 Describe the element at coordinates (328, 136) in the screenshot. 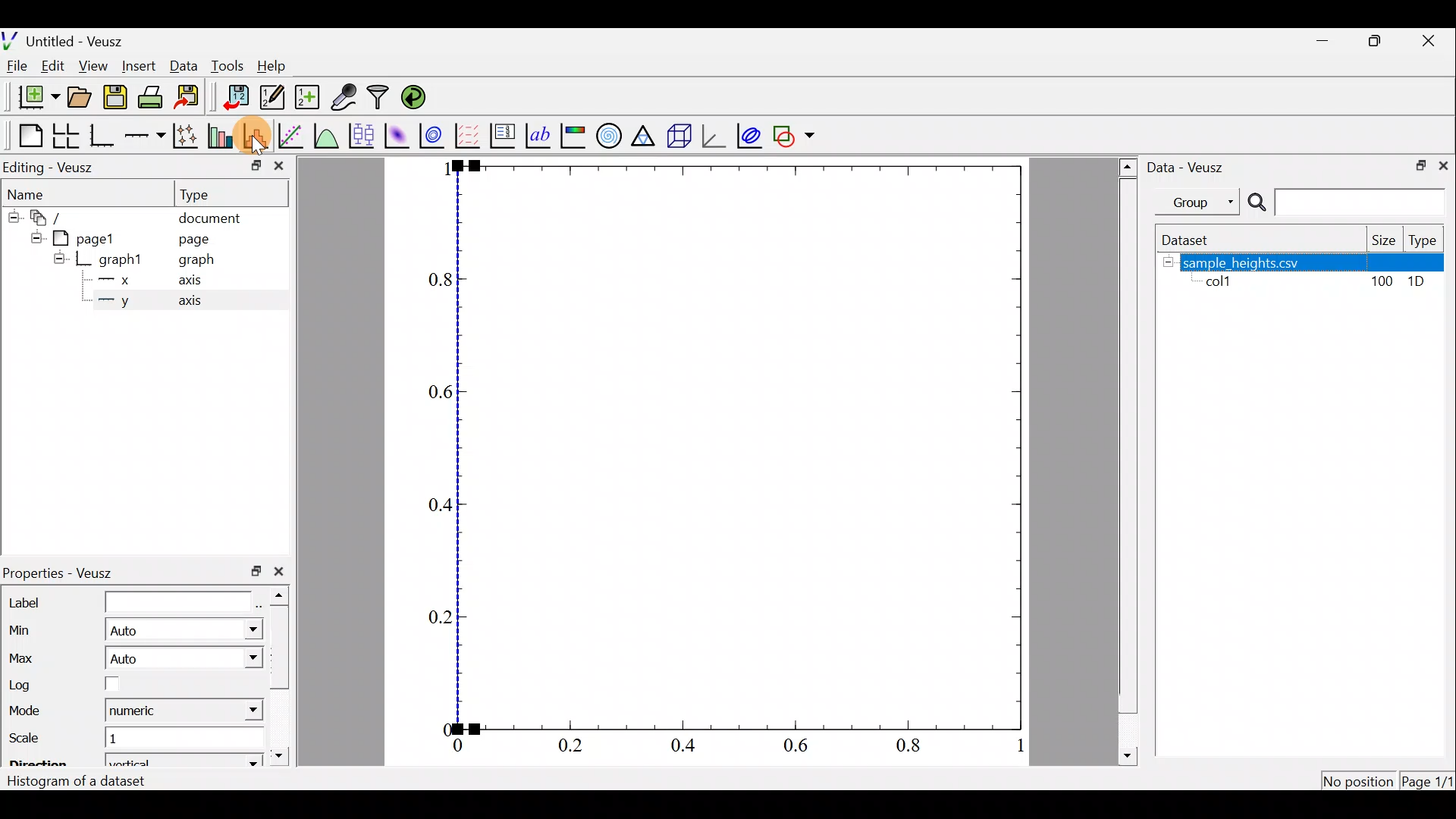

I see `plot a function` at that location.